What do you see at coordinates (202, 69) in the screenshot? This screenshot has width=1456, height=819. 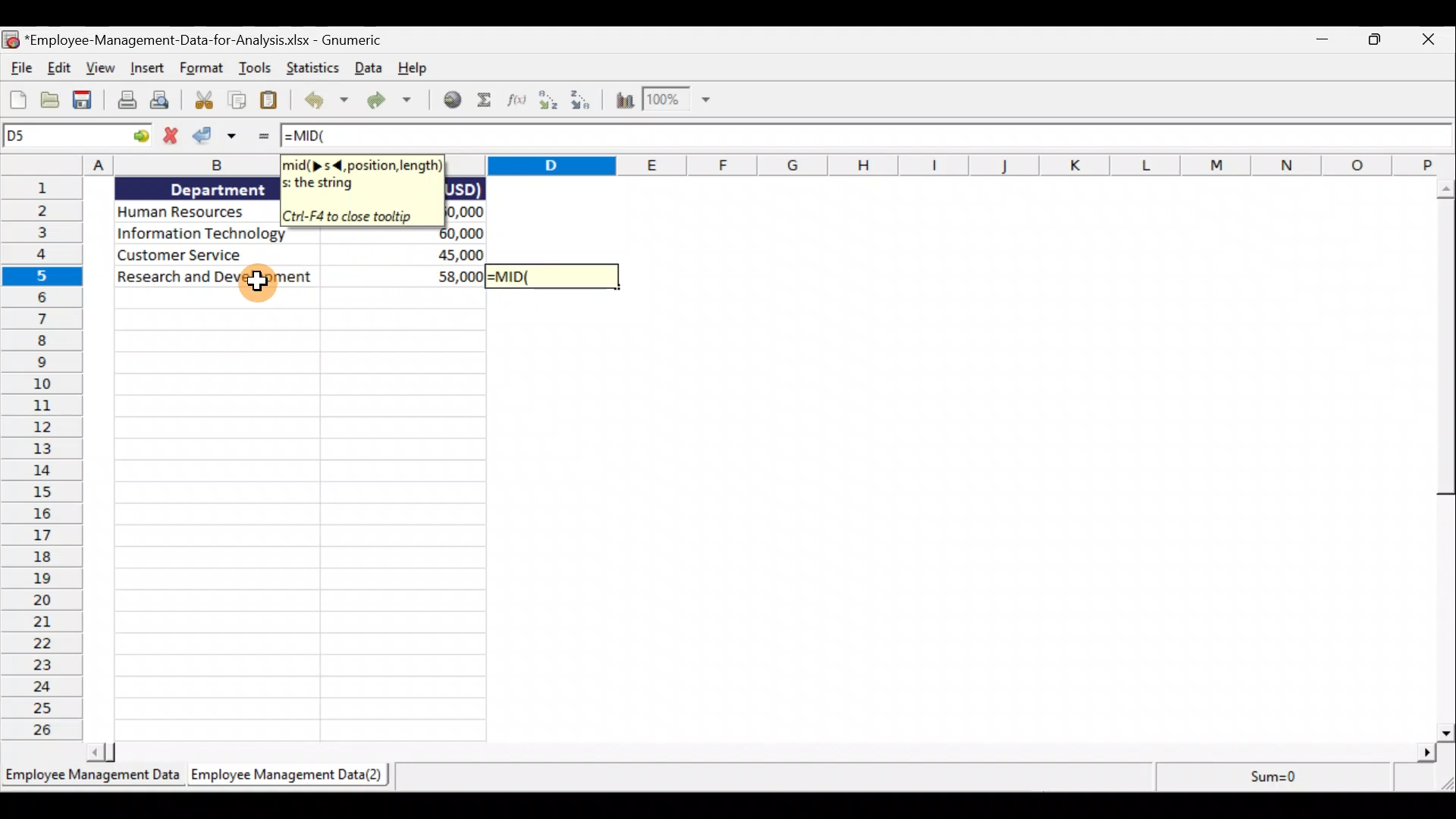 I see `Format` at bounding box center [202, 69].